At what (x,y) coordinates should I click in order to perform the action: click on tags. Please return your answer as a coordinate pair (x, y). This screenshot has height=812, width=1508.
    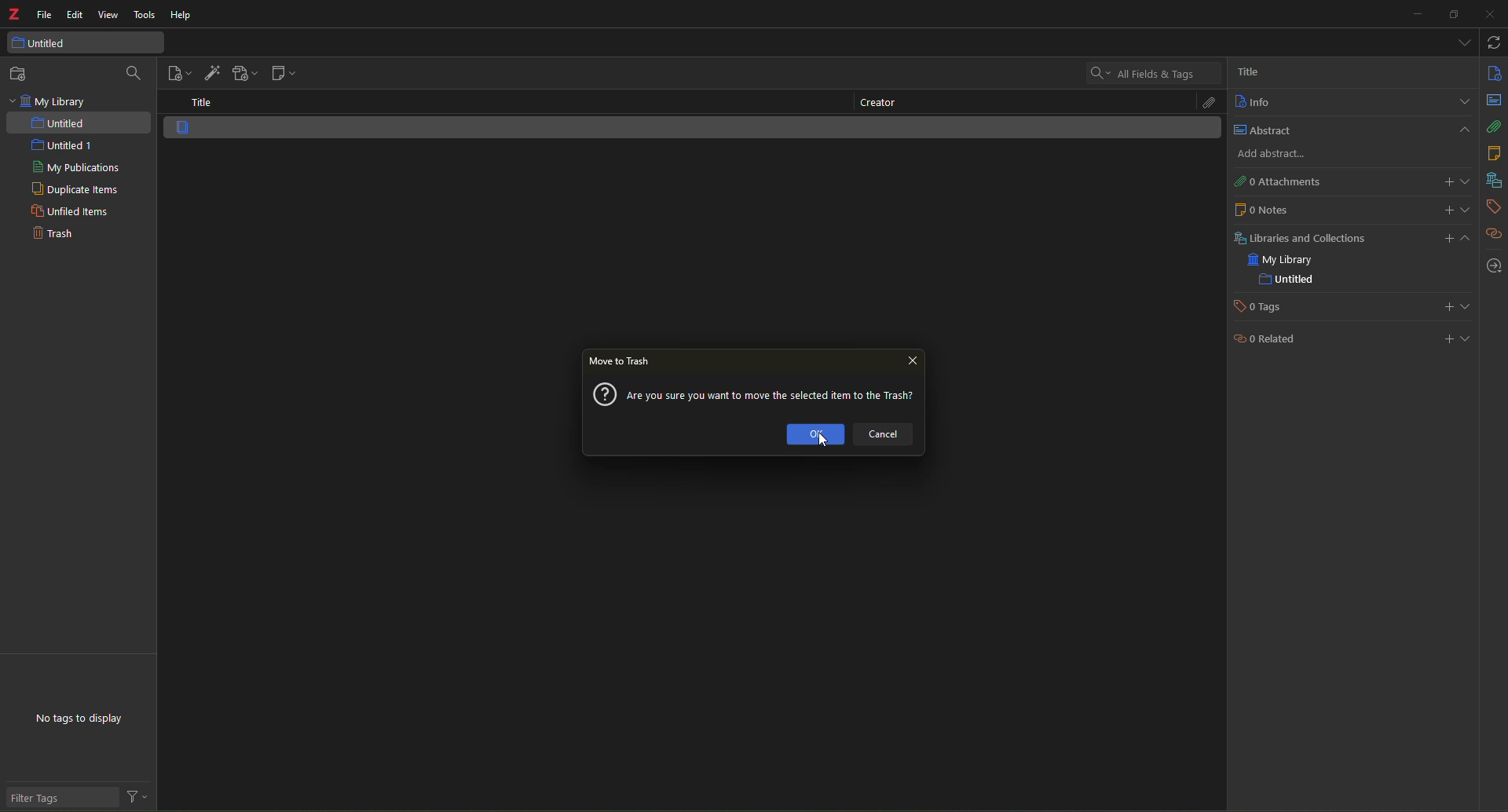
    Looking at the image, I should click on (1263, 307).